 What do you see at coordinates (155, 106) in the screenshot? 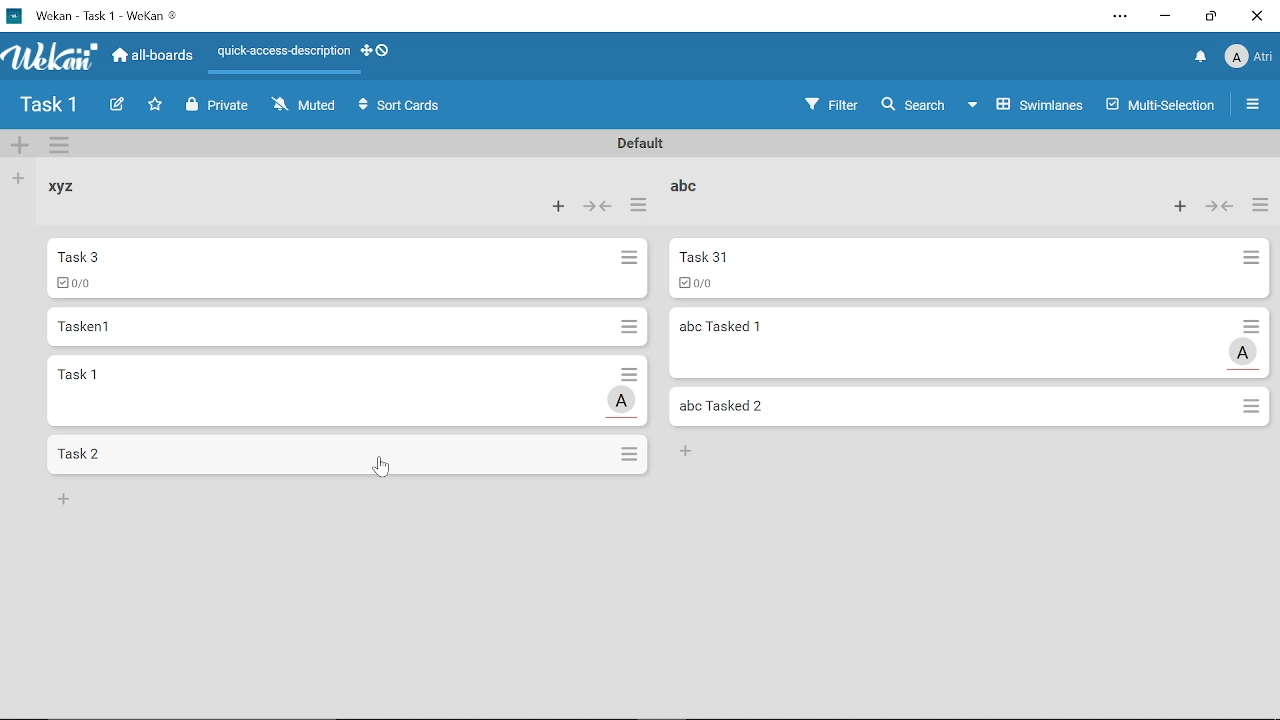
I see `Click here to star this board` at bounding box center [155, 106].